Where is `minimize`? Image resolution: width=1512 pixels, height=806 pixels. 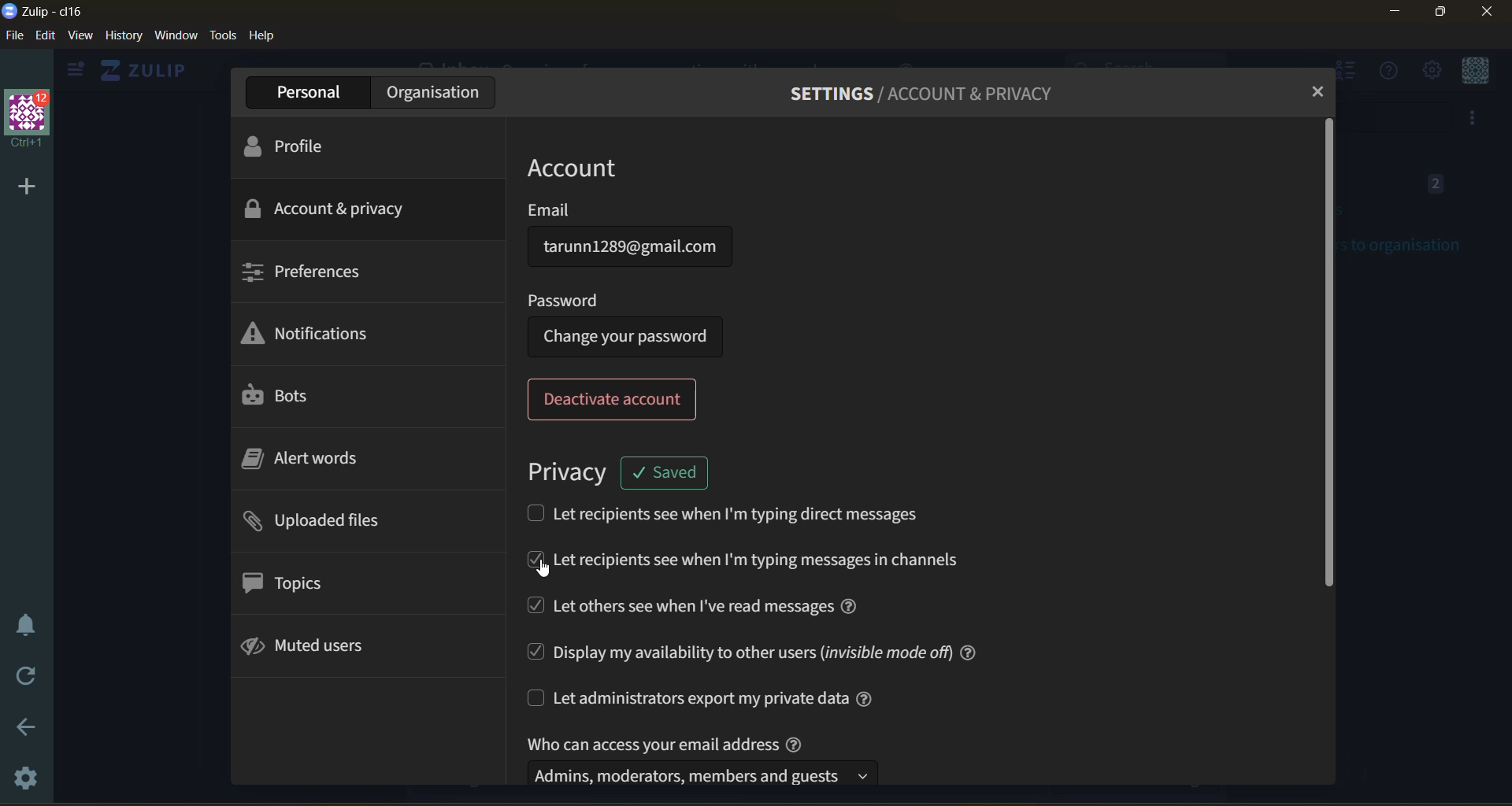
minimize is located at coordinates (1397, 14).